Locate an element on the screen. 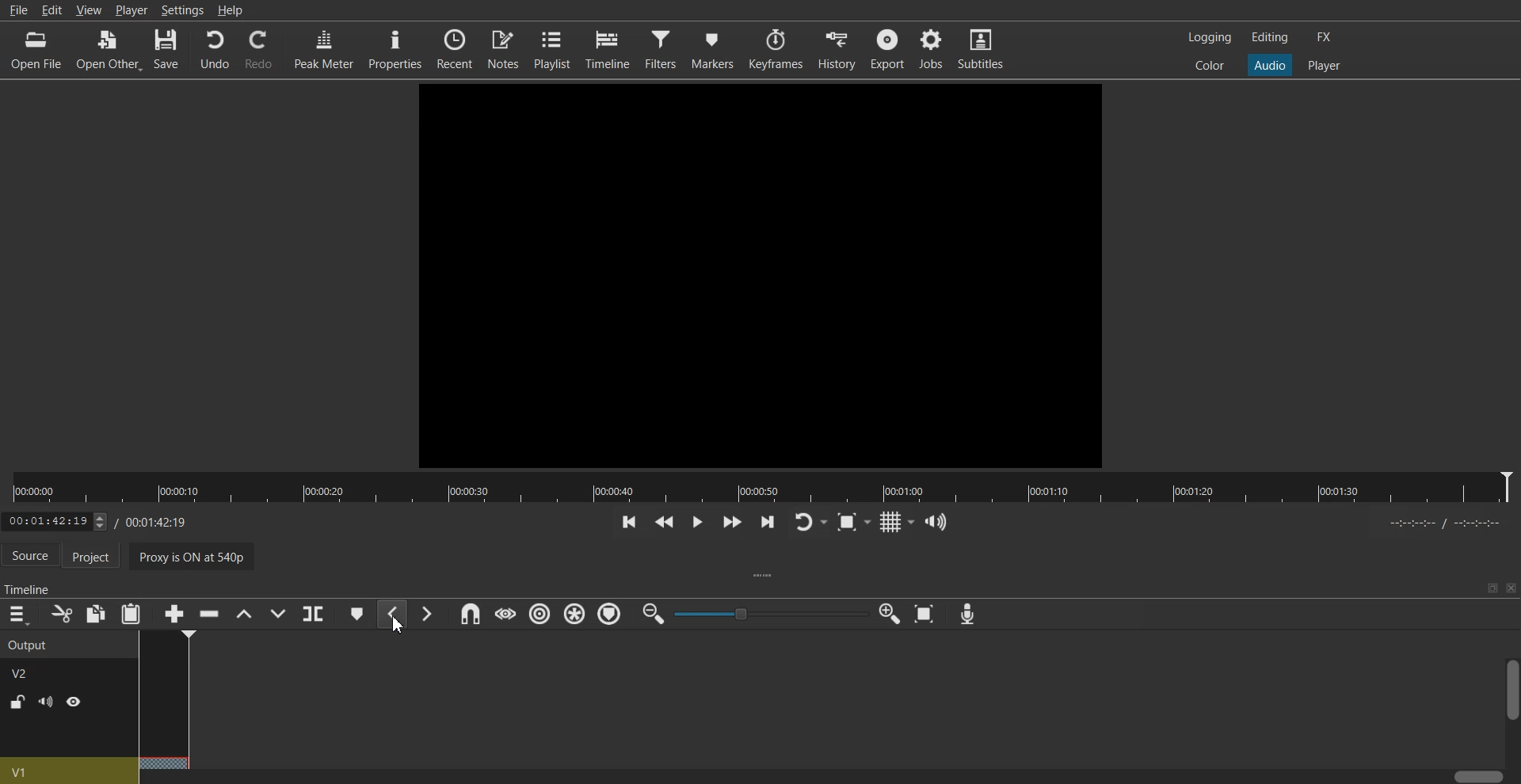  Ripple all track is located at coordinates (574, 613).